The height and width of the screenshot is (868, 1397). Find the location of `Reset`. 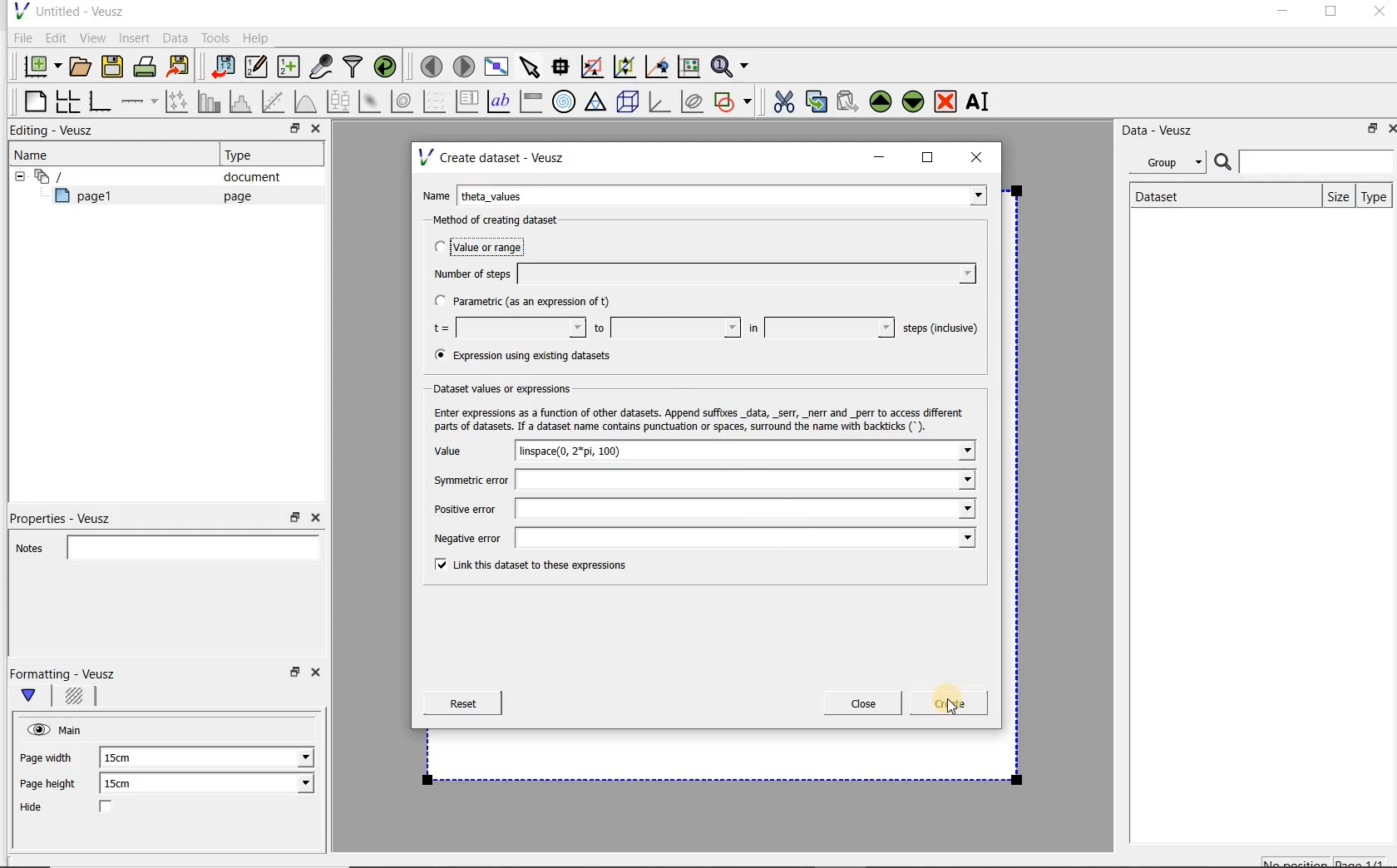

Reset is located at coordinates (462, 703).